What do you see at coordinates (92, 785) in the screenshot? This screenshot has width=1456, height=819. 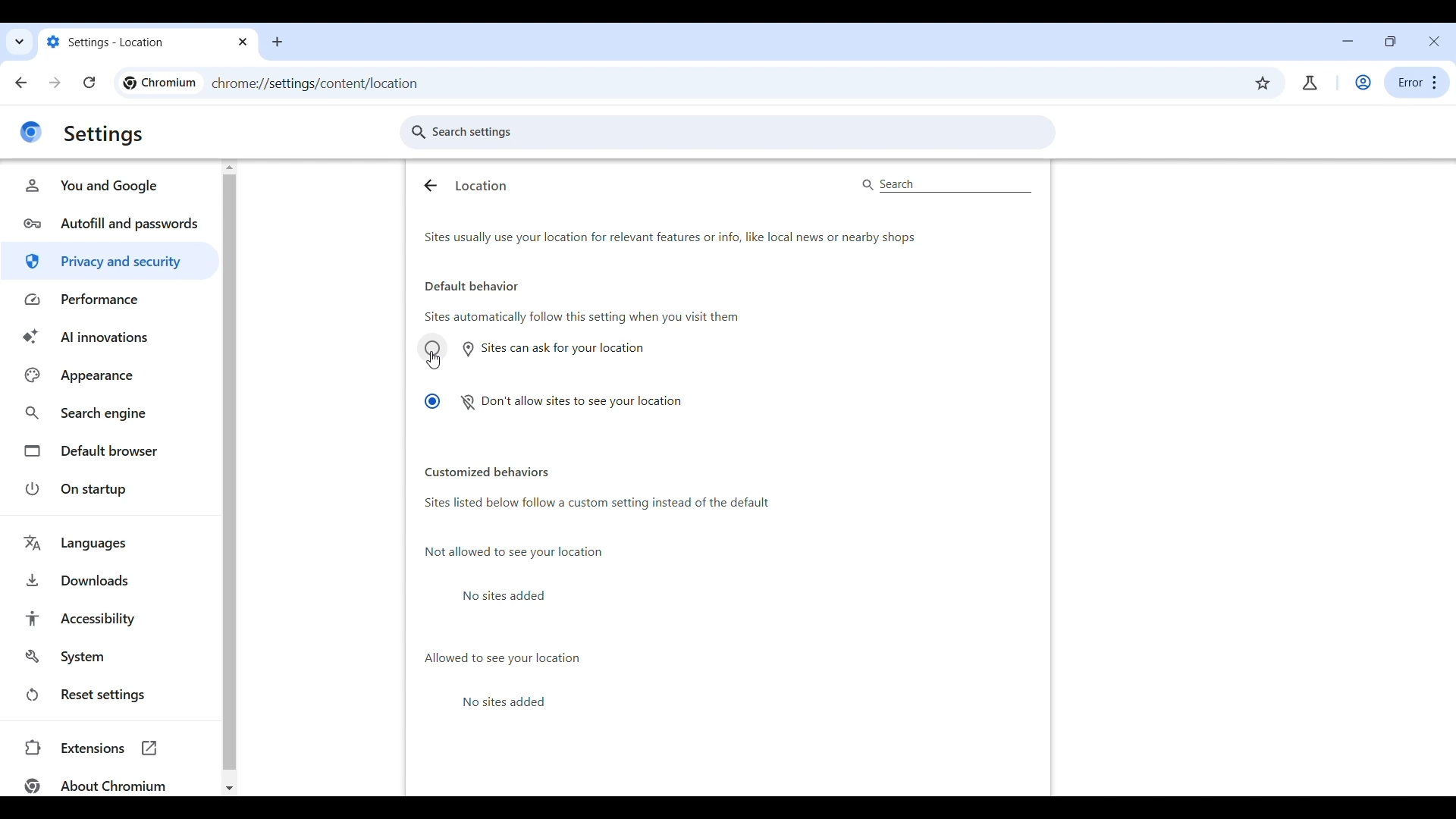 I see `about Chromium` at bounding box center [92, 785].